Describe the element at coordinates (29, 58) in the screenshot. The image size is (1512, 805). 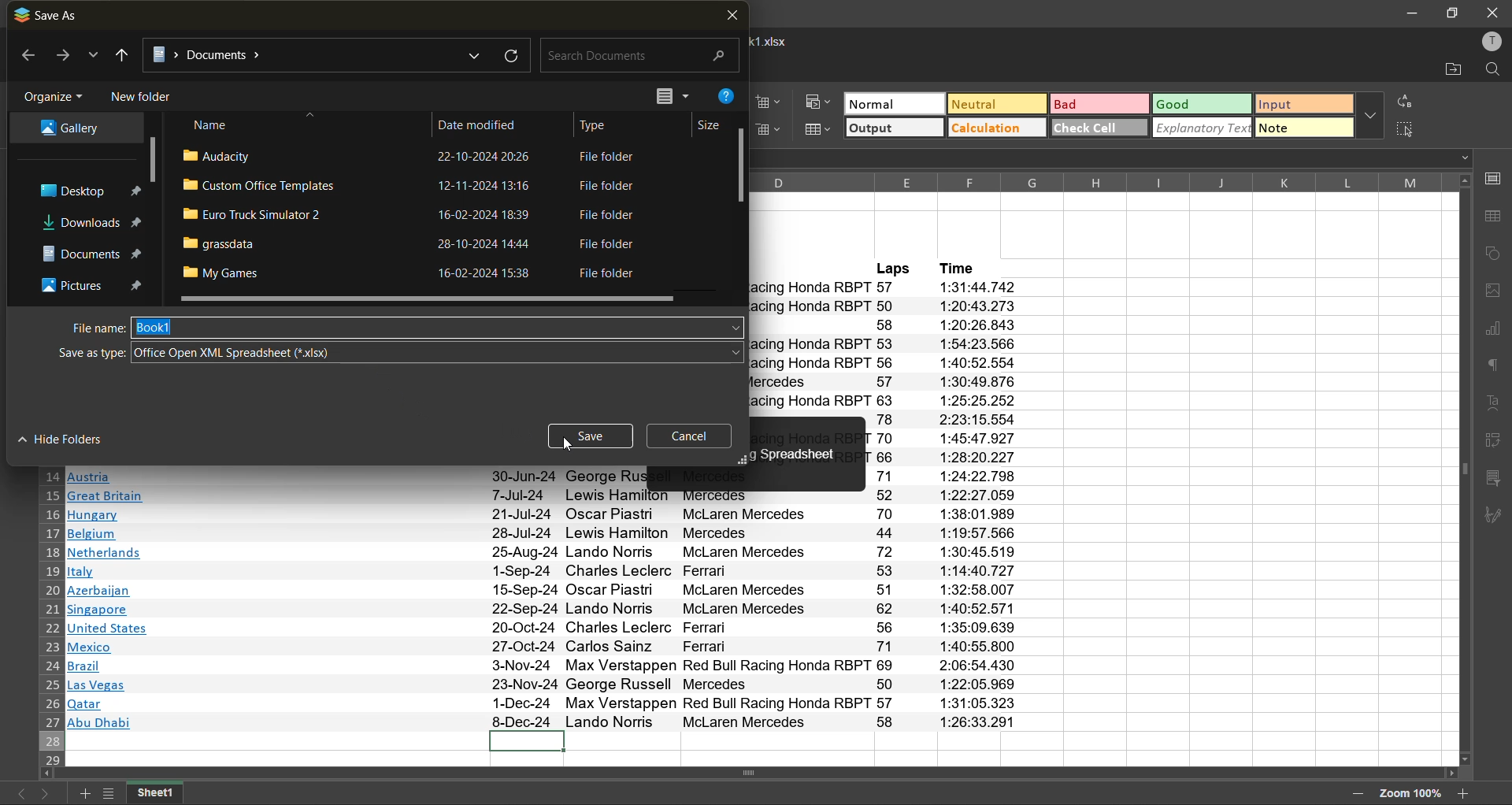
I see `back` at that location.